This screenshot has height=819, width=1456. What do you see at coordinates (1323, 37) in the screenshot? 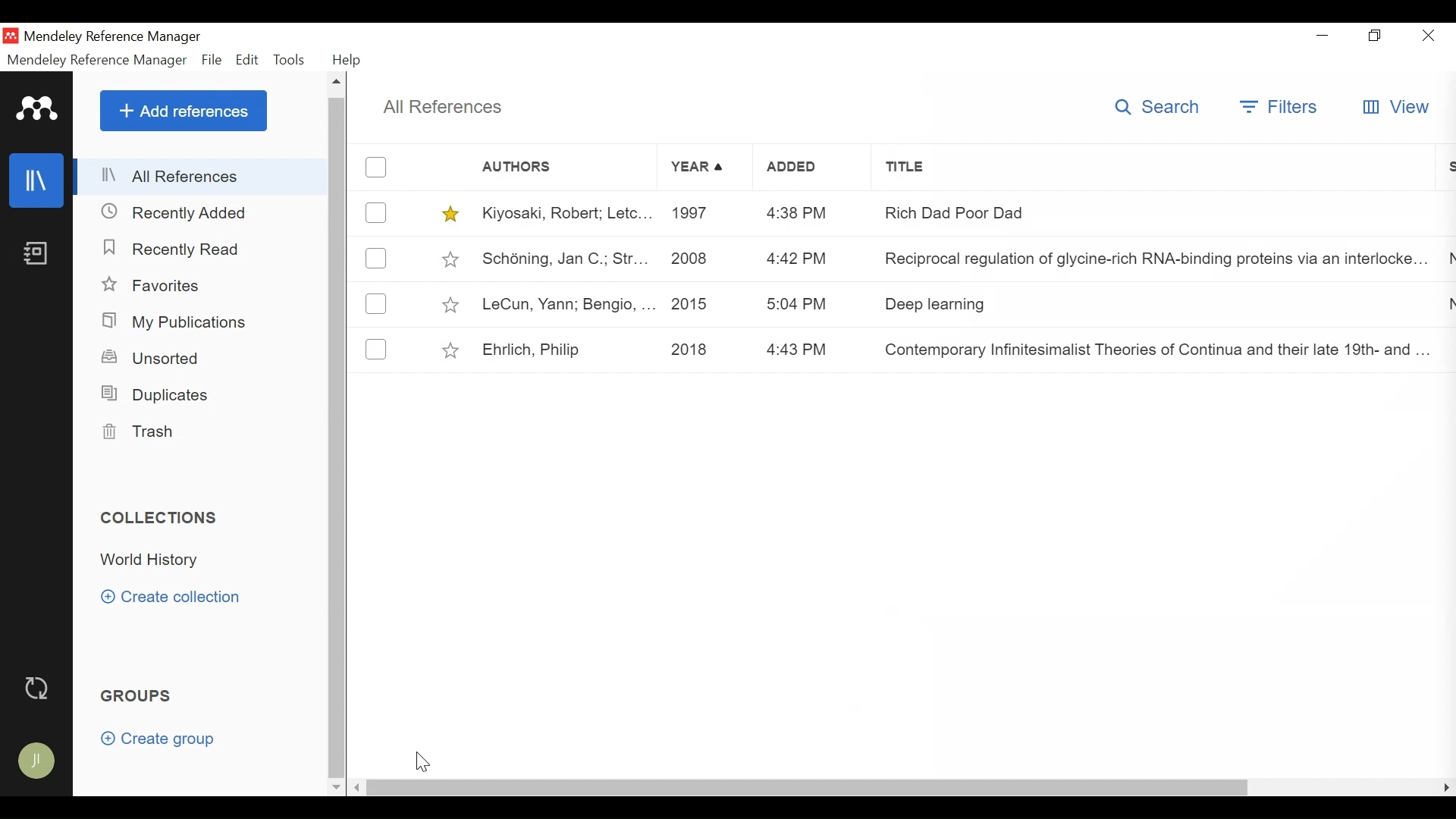
I see `minimize` at bounding box center [1323, 37].